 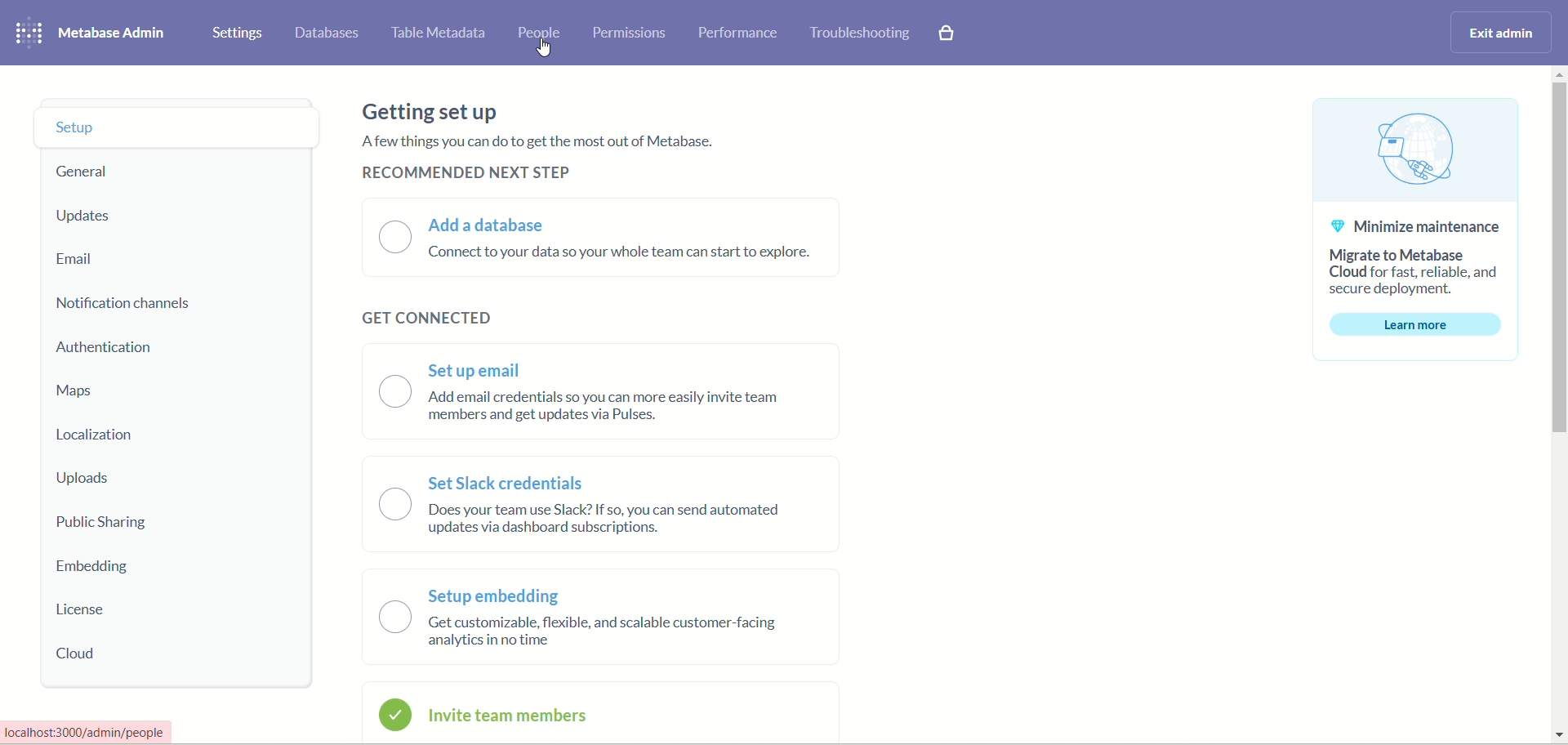 I want to click on toggle button, so click(x=393, y=236).